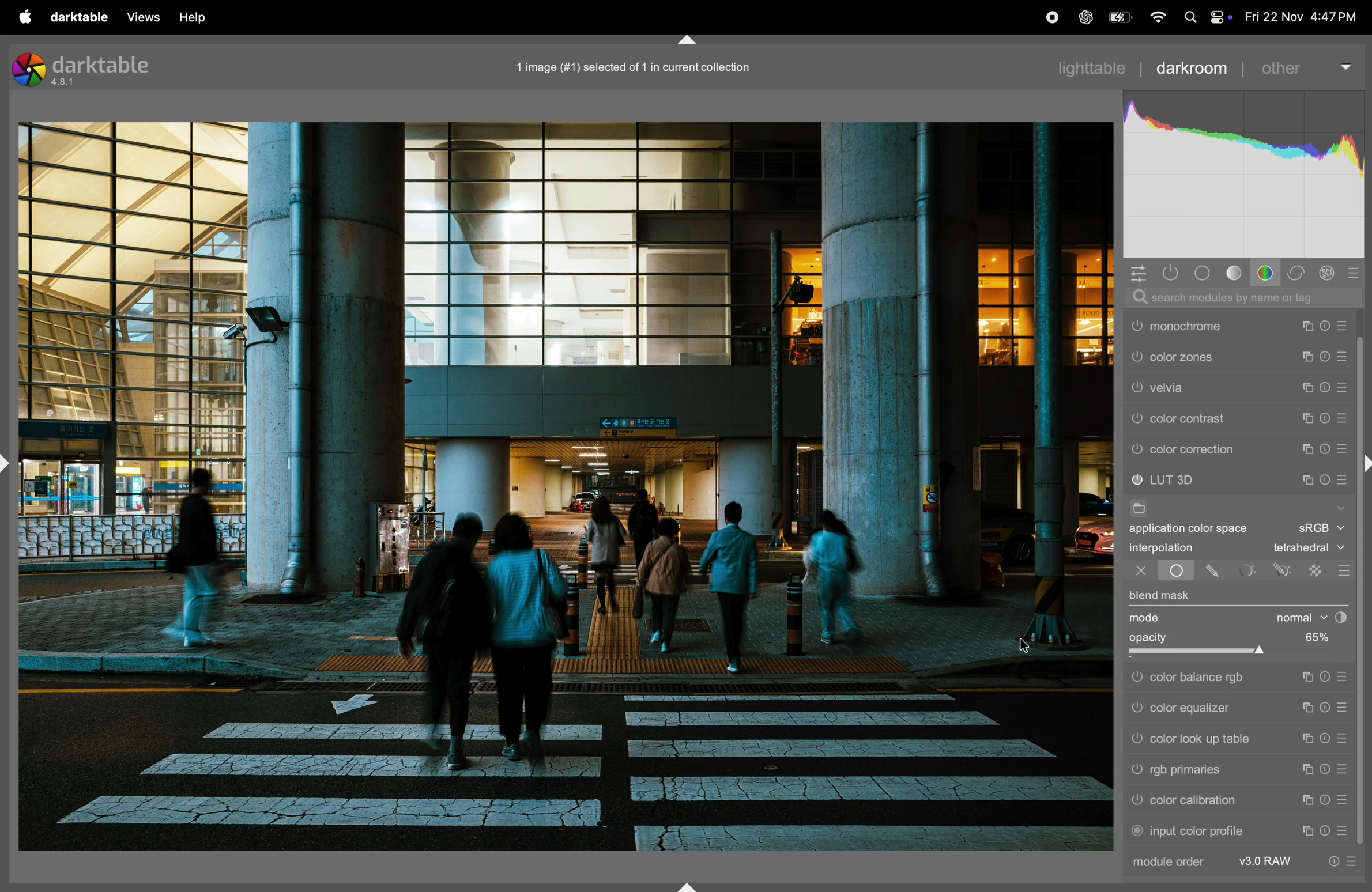 The width and height of the screenshot is (1372, 892). I want to click on uniformly, so click(1177, 572).